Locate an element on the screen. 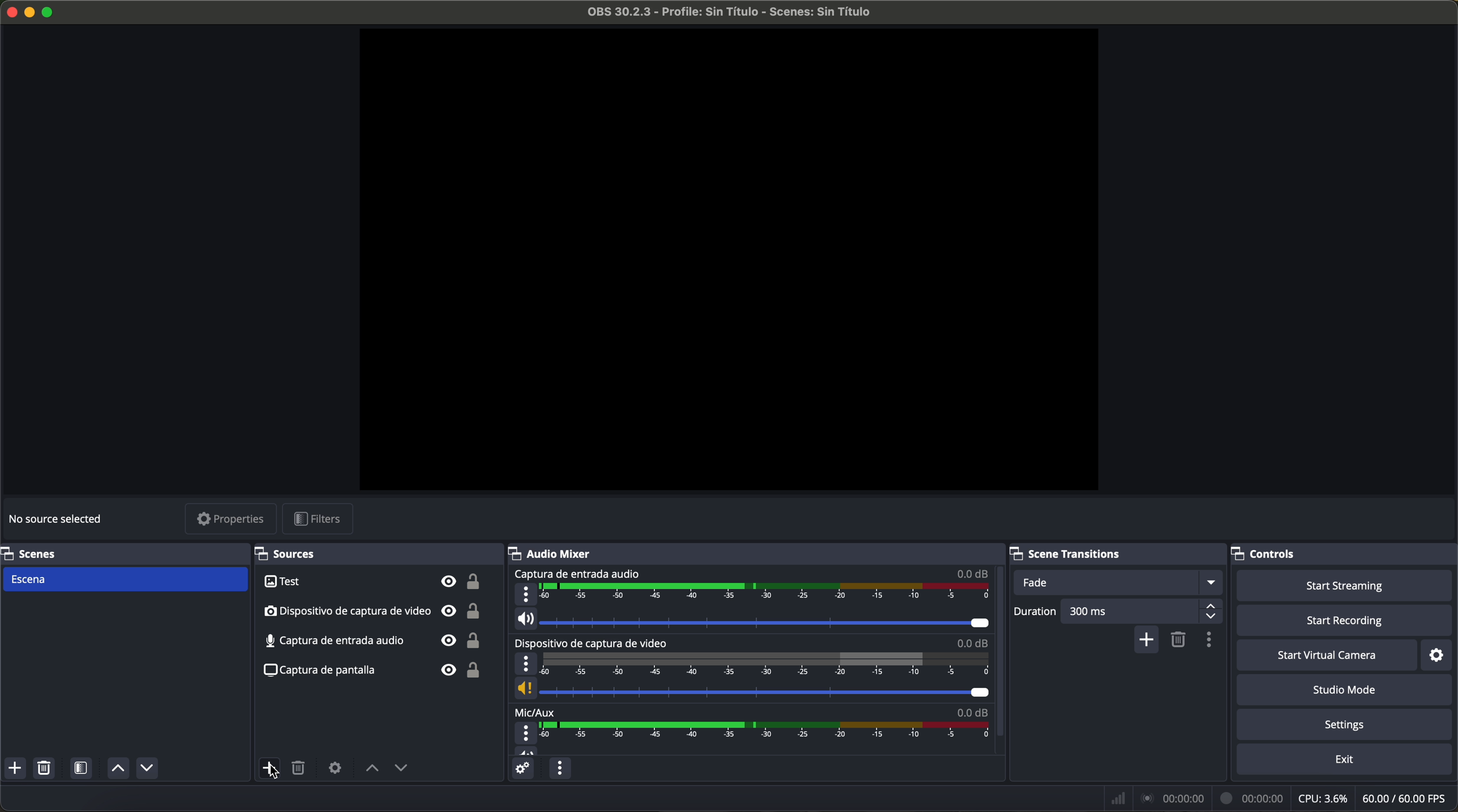  settings is located at coordinates (1346, 724).